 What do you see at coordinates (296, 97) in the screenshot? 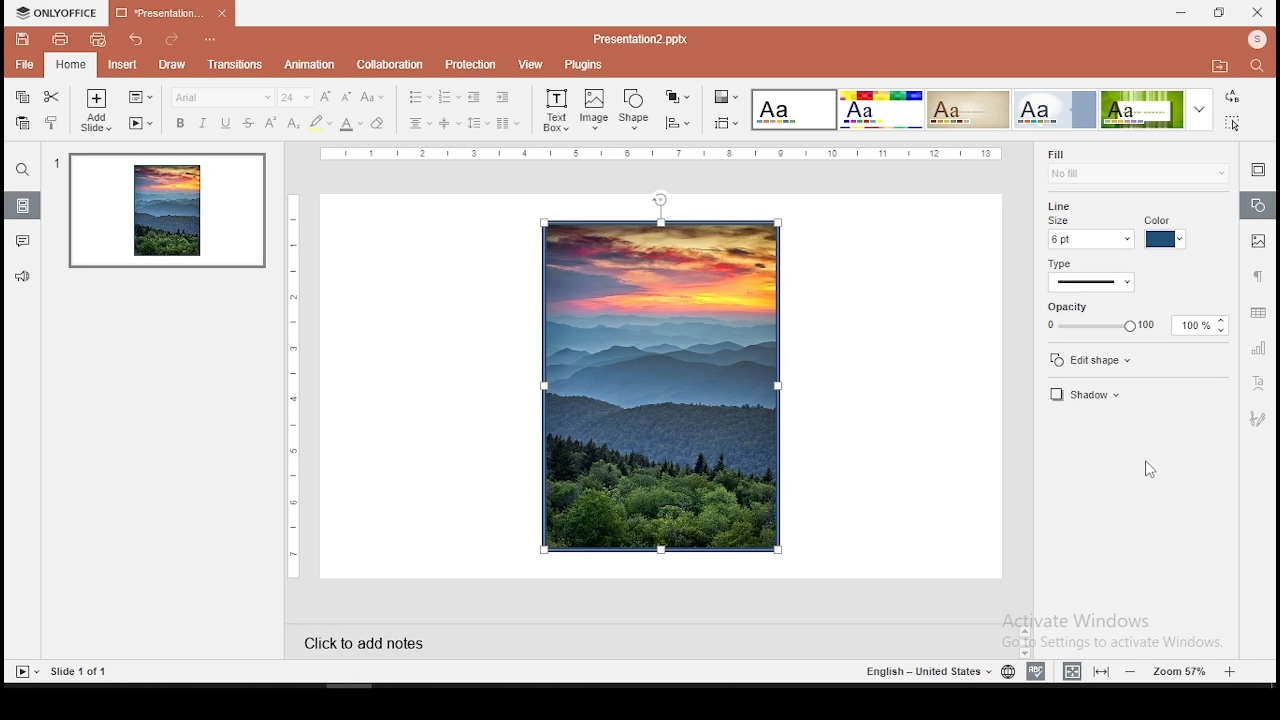
I see `font size` at bounding box center [296, 97].